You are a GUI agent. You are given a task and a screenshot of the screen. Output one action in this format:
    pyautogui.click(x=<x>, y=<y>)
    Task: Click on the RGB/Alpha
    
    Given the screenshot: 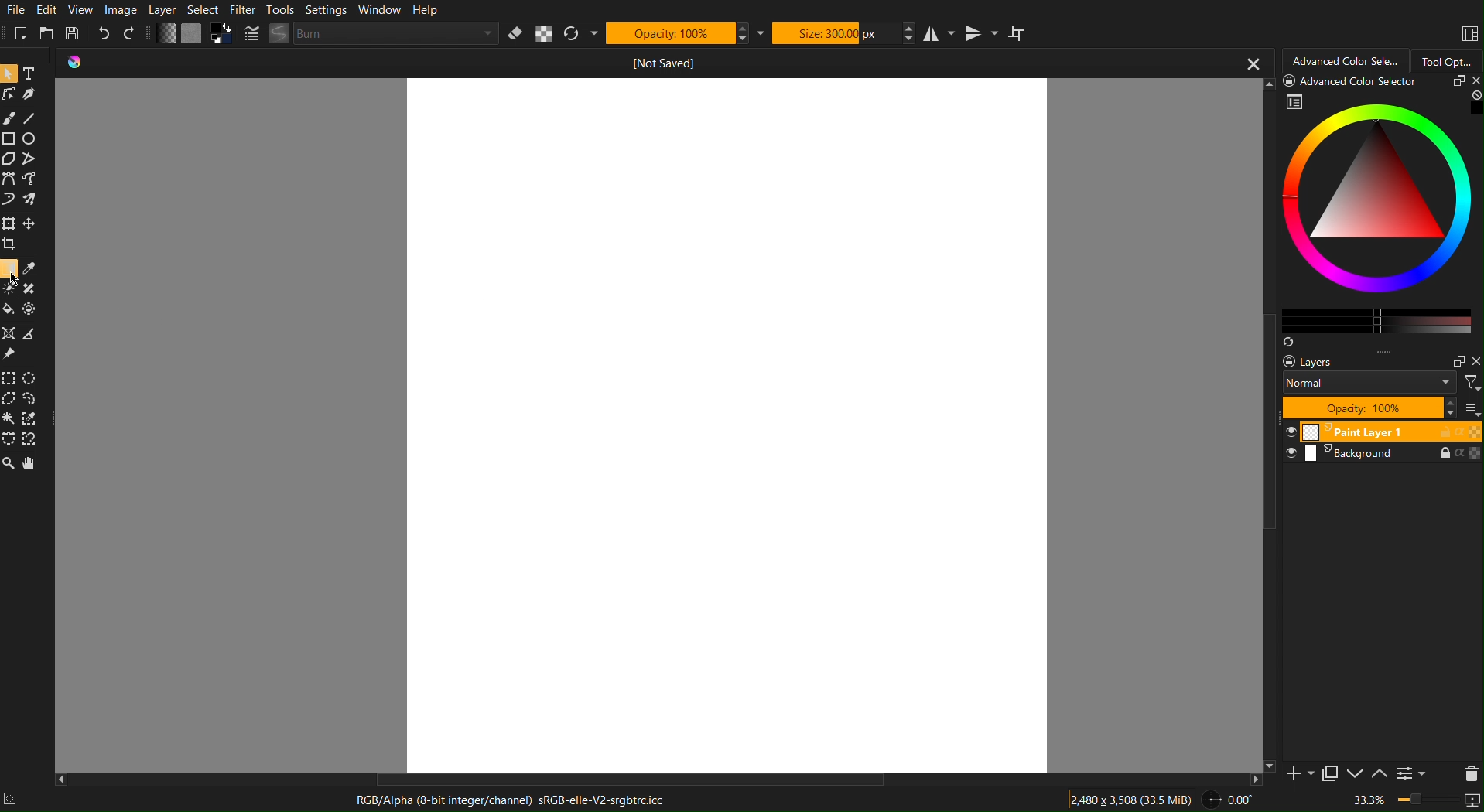 What is the action you would take?
    pyautogui.click(x=517, y=800)
    